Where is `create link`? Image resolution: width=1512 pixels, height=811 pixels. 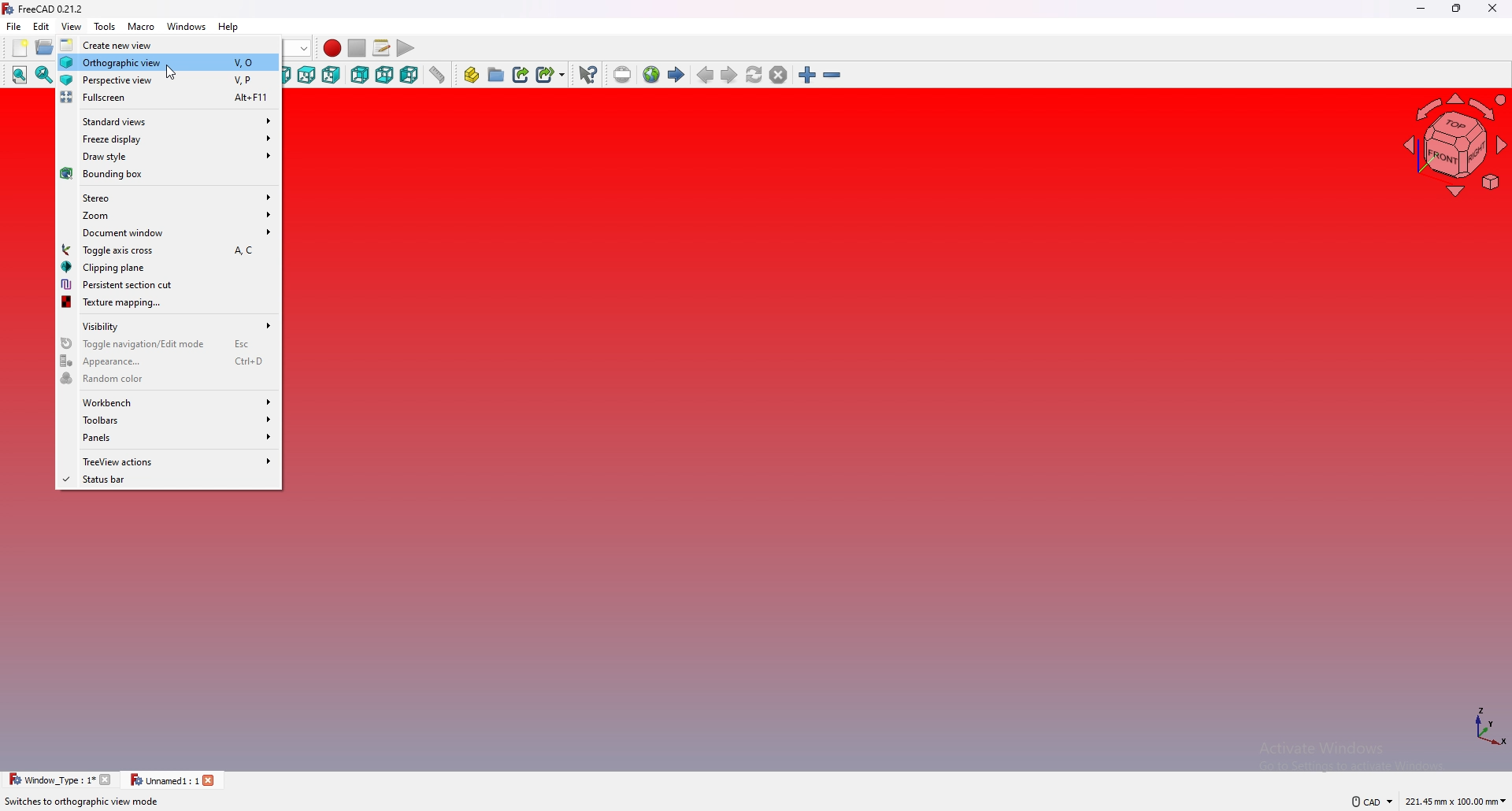 create link is located at coordinates (521, 74).